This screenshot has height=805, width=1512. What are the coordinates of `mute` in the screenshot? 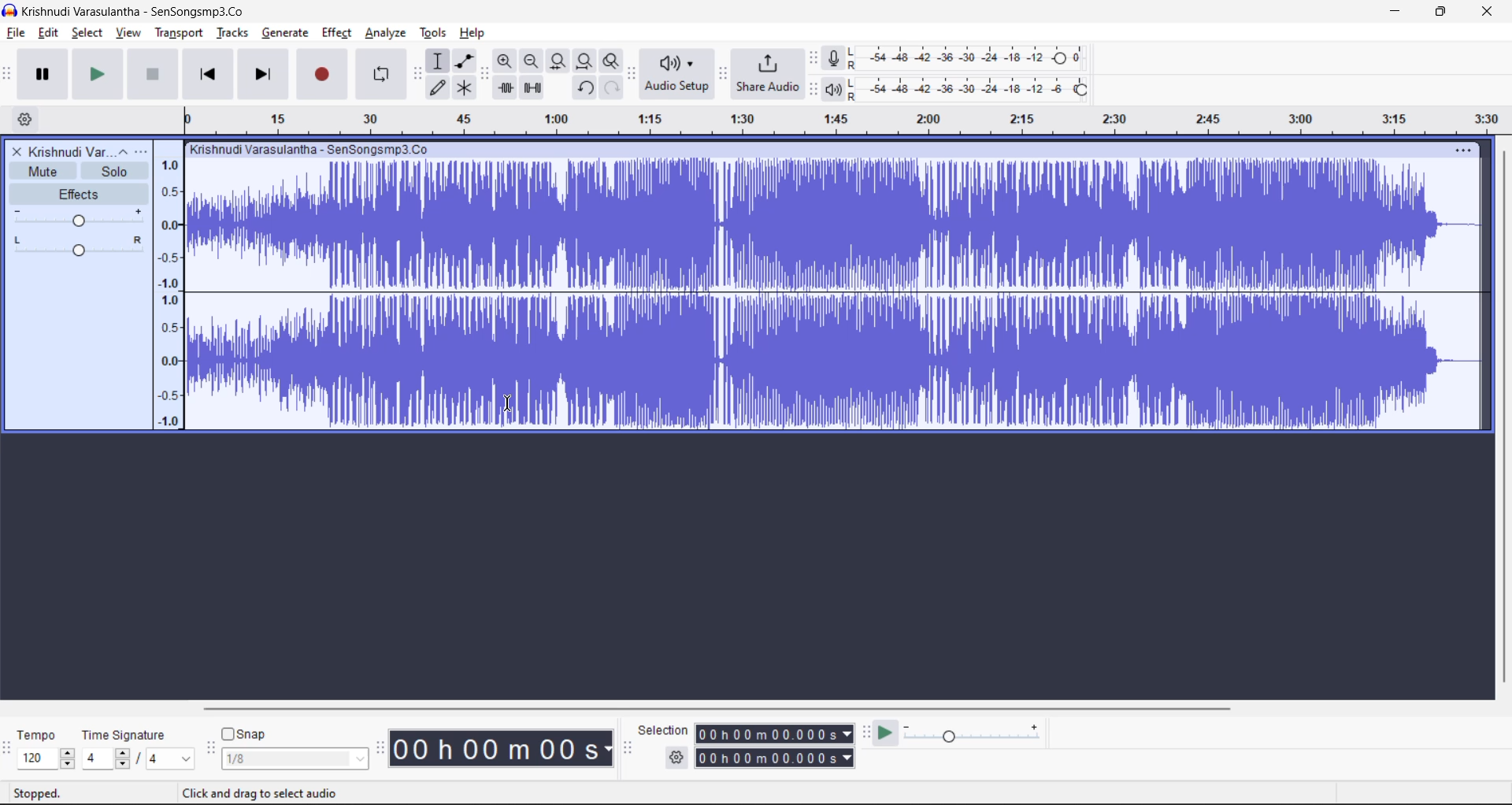 It's located at (43, 170).